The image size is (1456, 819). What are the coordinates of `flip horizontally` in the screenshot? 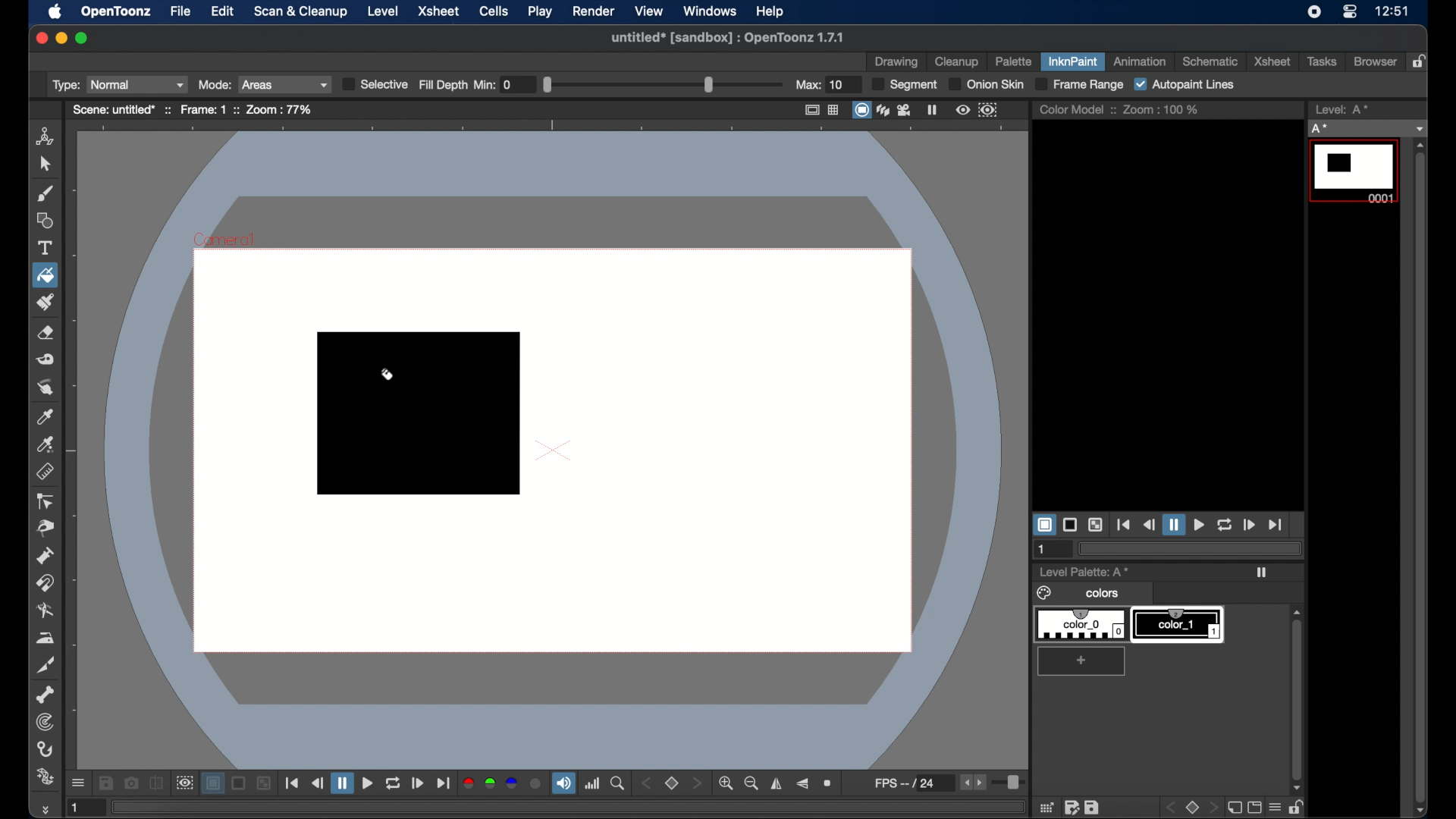 It's located at (777, 783).